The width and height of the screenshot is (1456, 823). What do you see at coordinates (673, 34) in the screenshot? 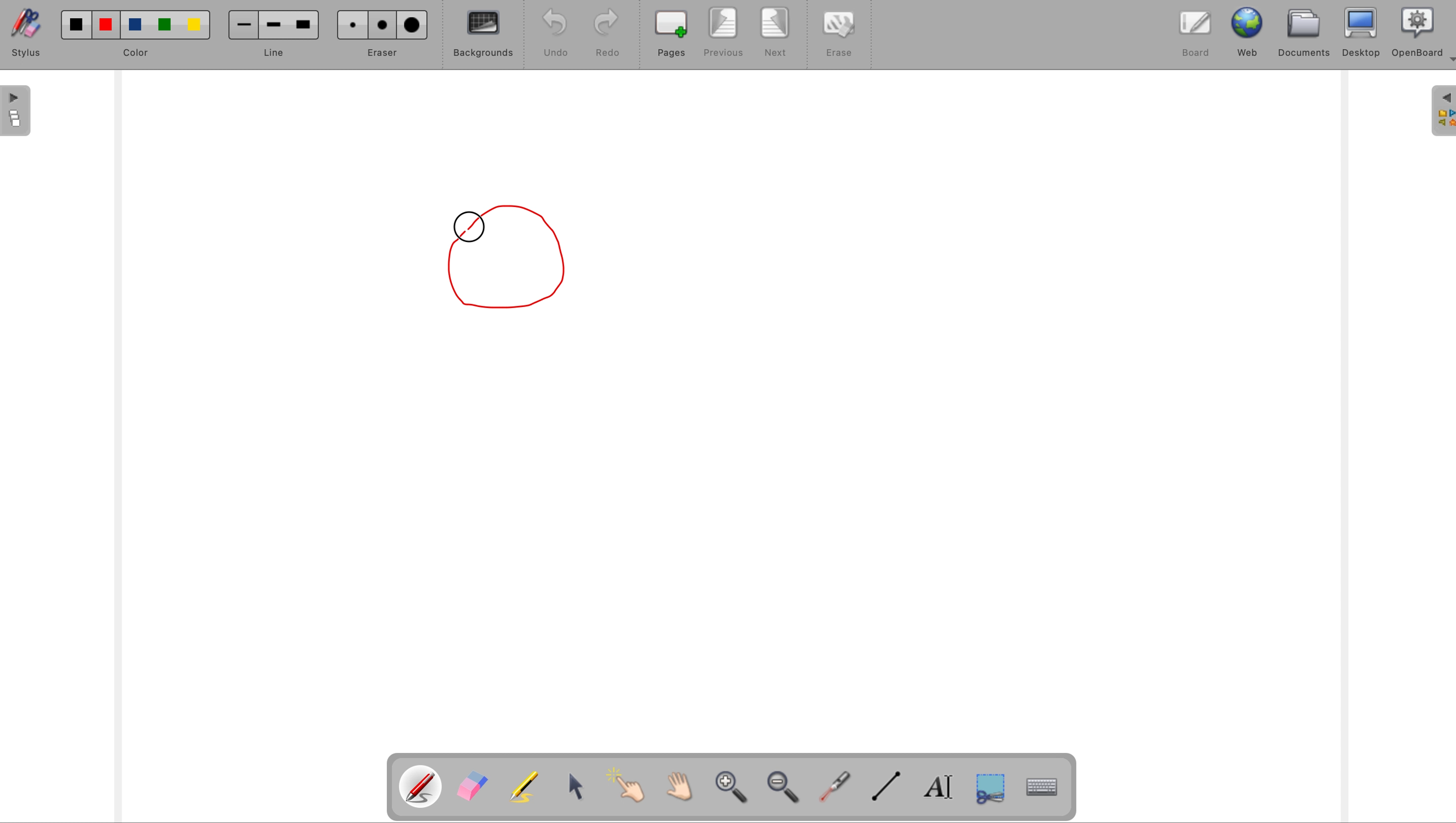
I see `pages` at bounding box center [673, 34].